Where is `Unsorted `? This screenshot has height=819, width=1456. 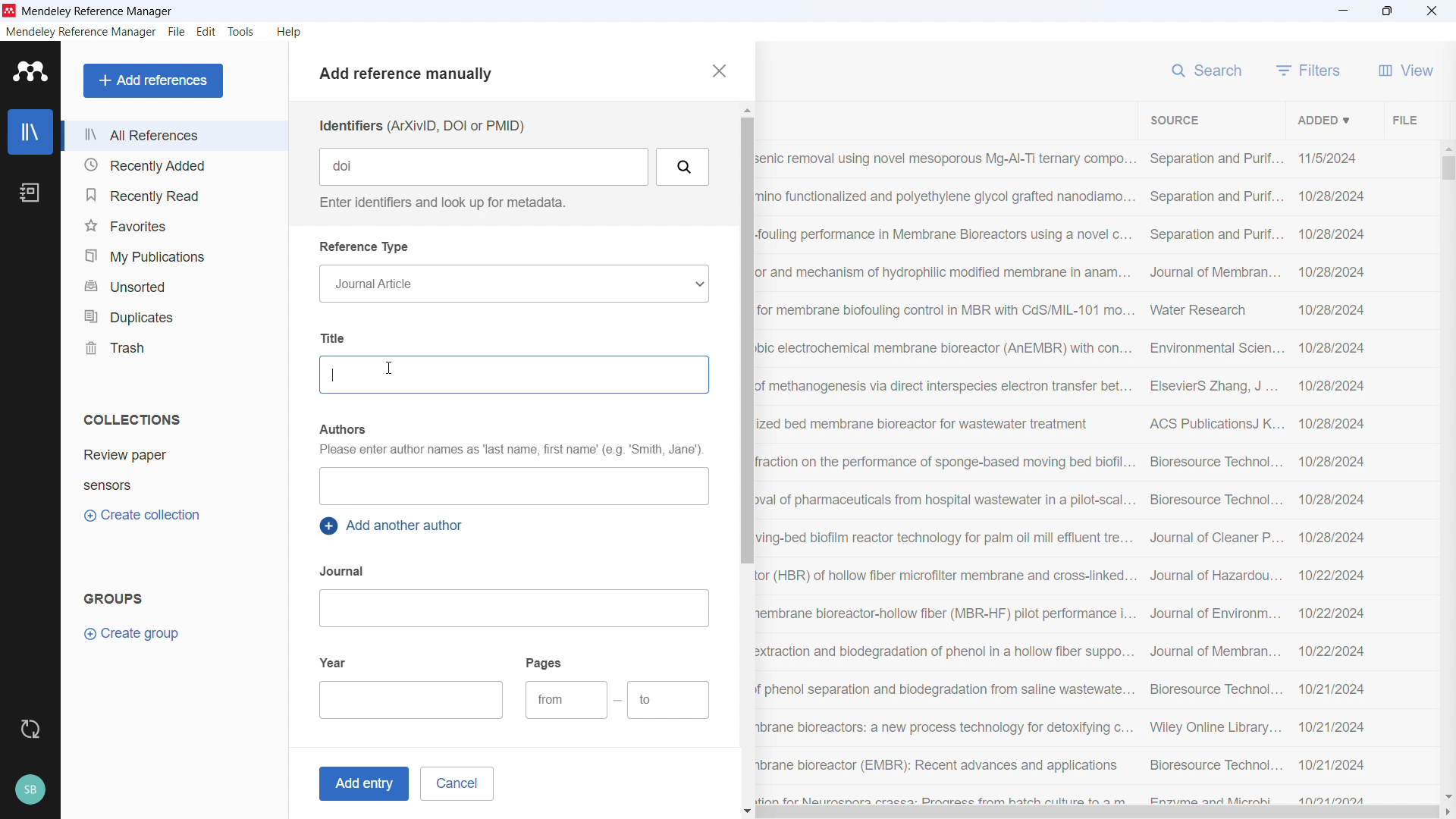 Unsorted  is located at coordinates (174, 284).